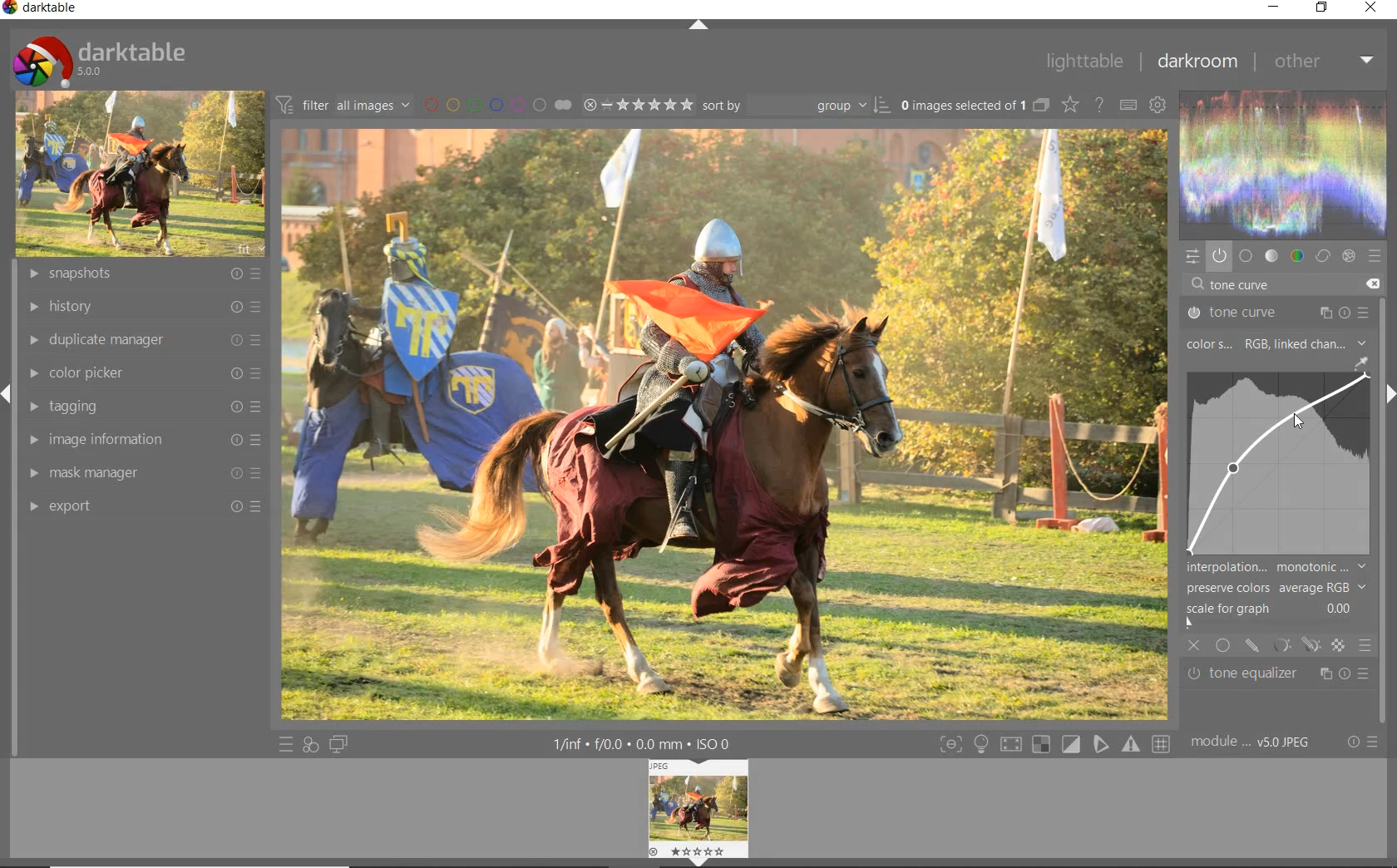 This screenshot has width=1397, height=868. I want to click on close, so click(1195, 647).